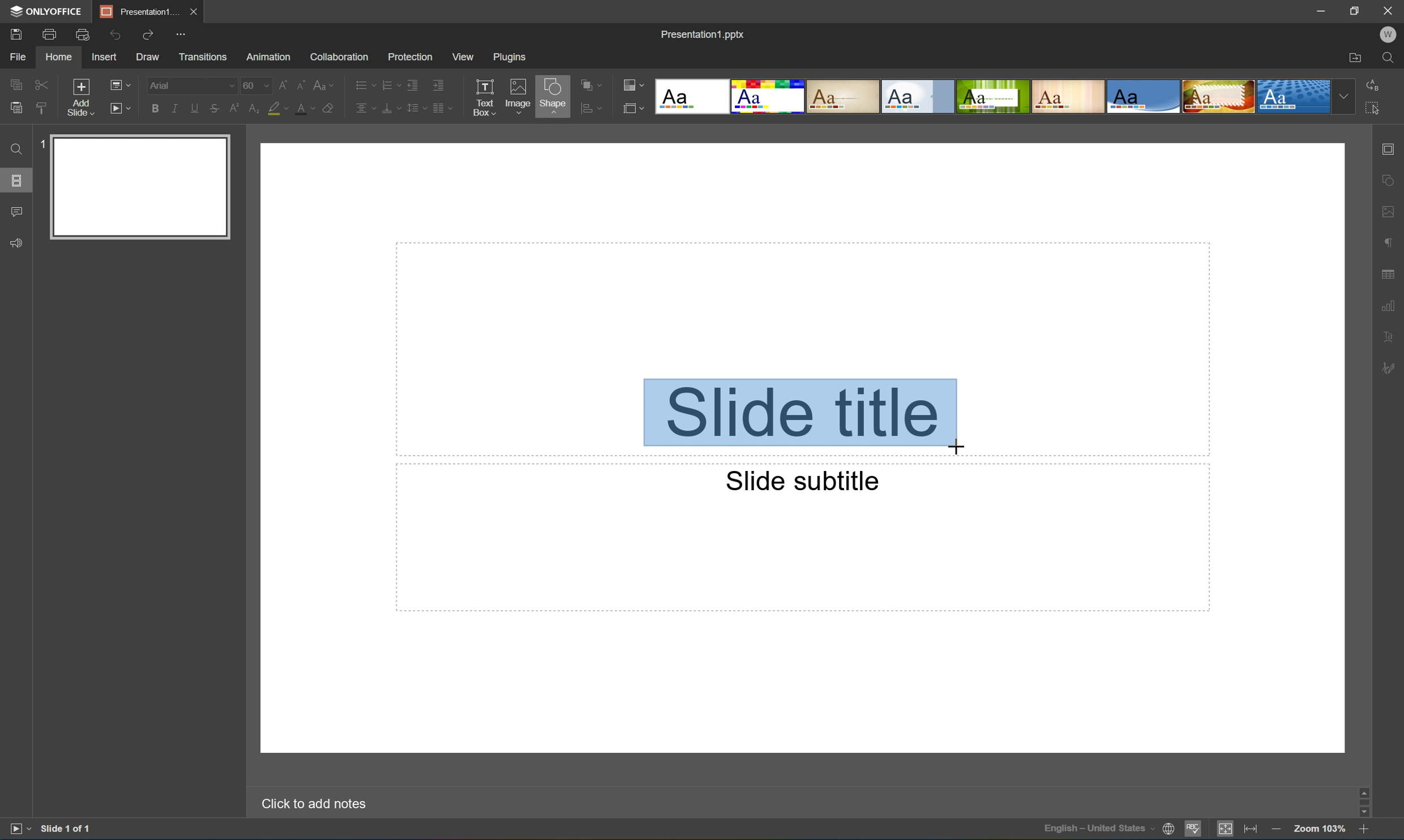 The height and width of the screenshot is (840, 1404). Describe the element at coordinates (1354, 58) in the screenshot. I see `Open file location` at that location.